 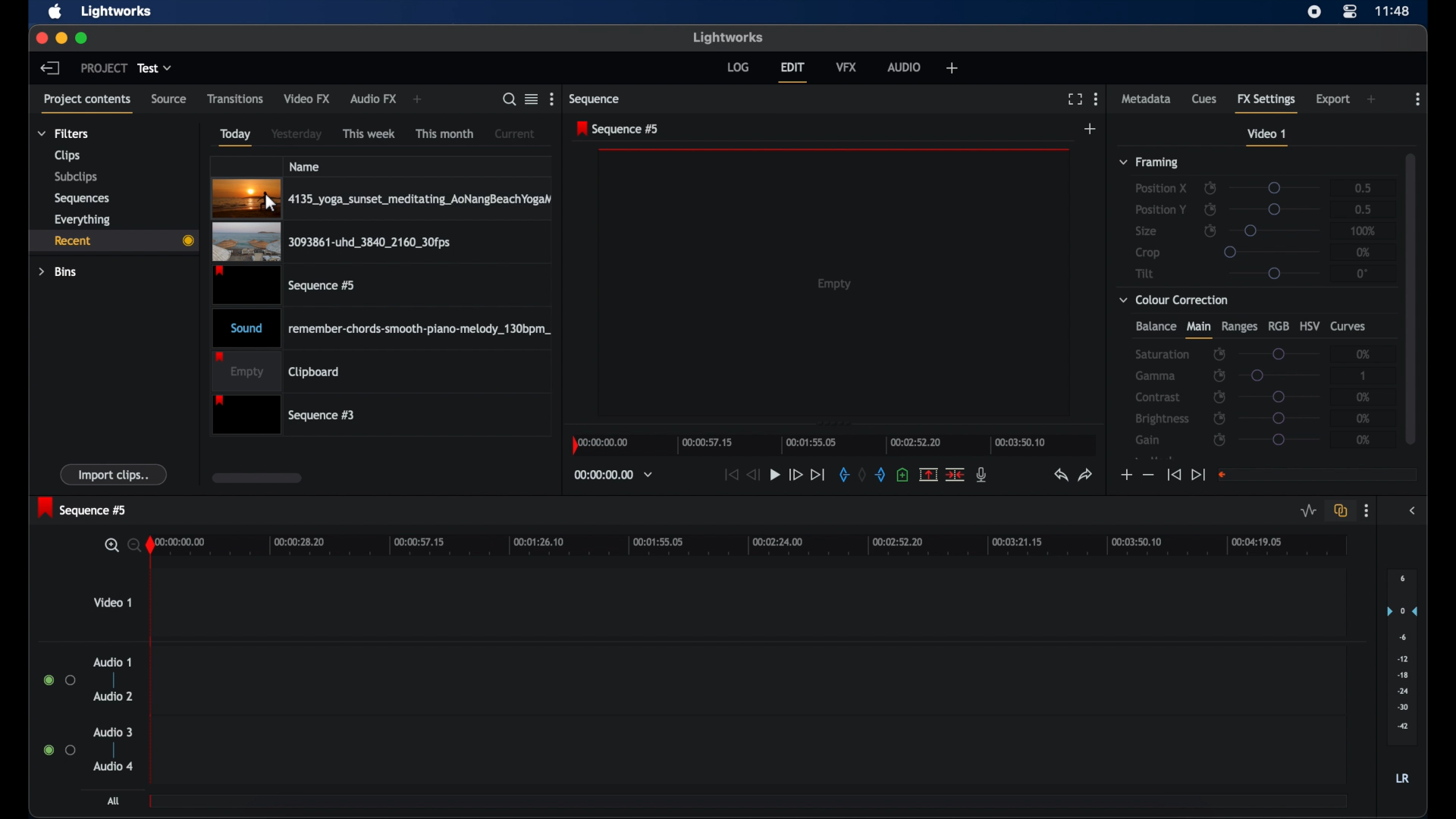 I want to click on source, so click(x=169, y=99).